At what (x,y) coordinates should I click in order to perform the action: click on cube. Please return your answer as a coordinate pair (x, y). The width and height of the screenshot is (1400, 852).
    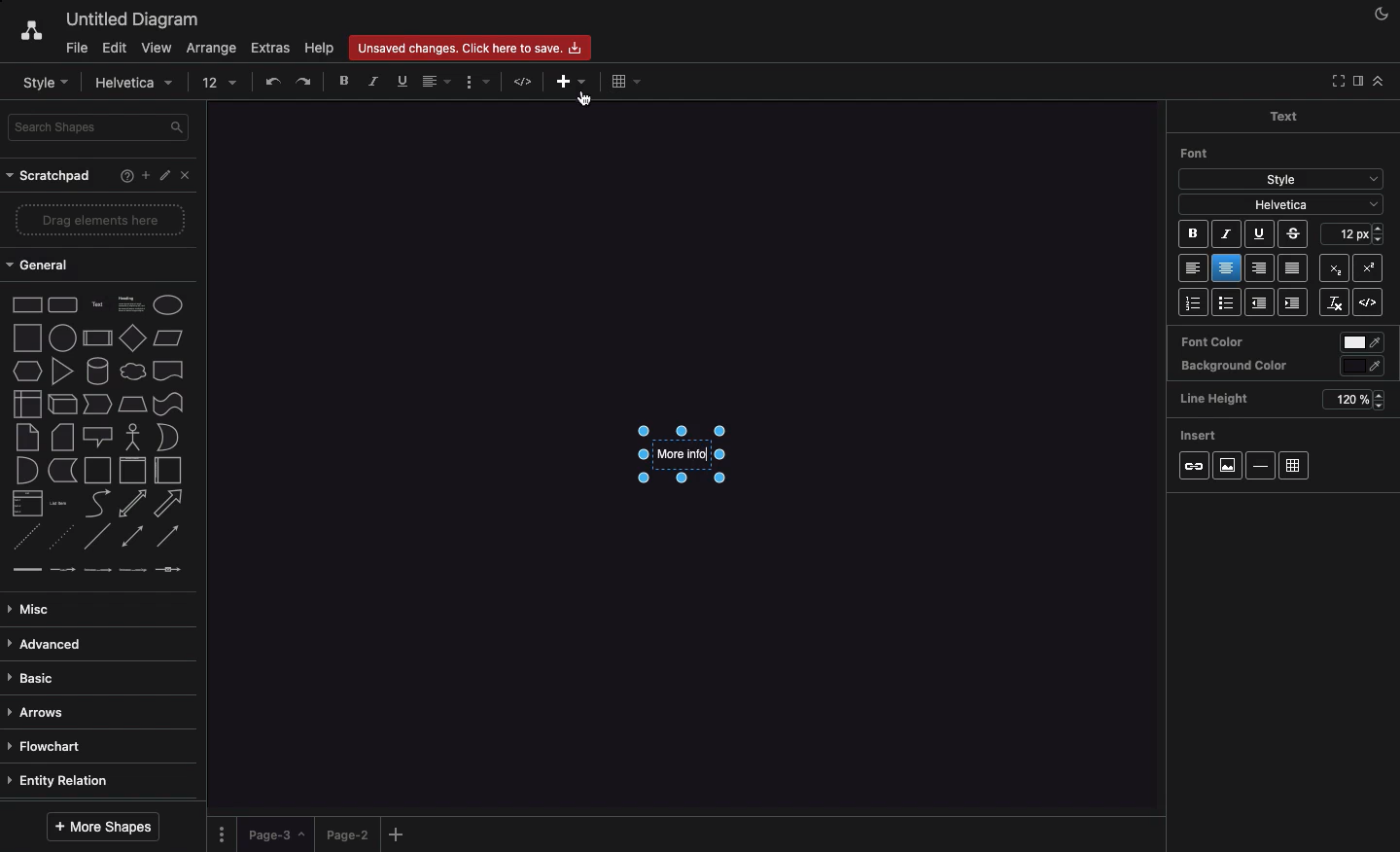
    Looking at the image, I should click on (62, 405).